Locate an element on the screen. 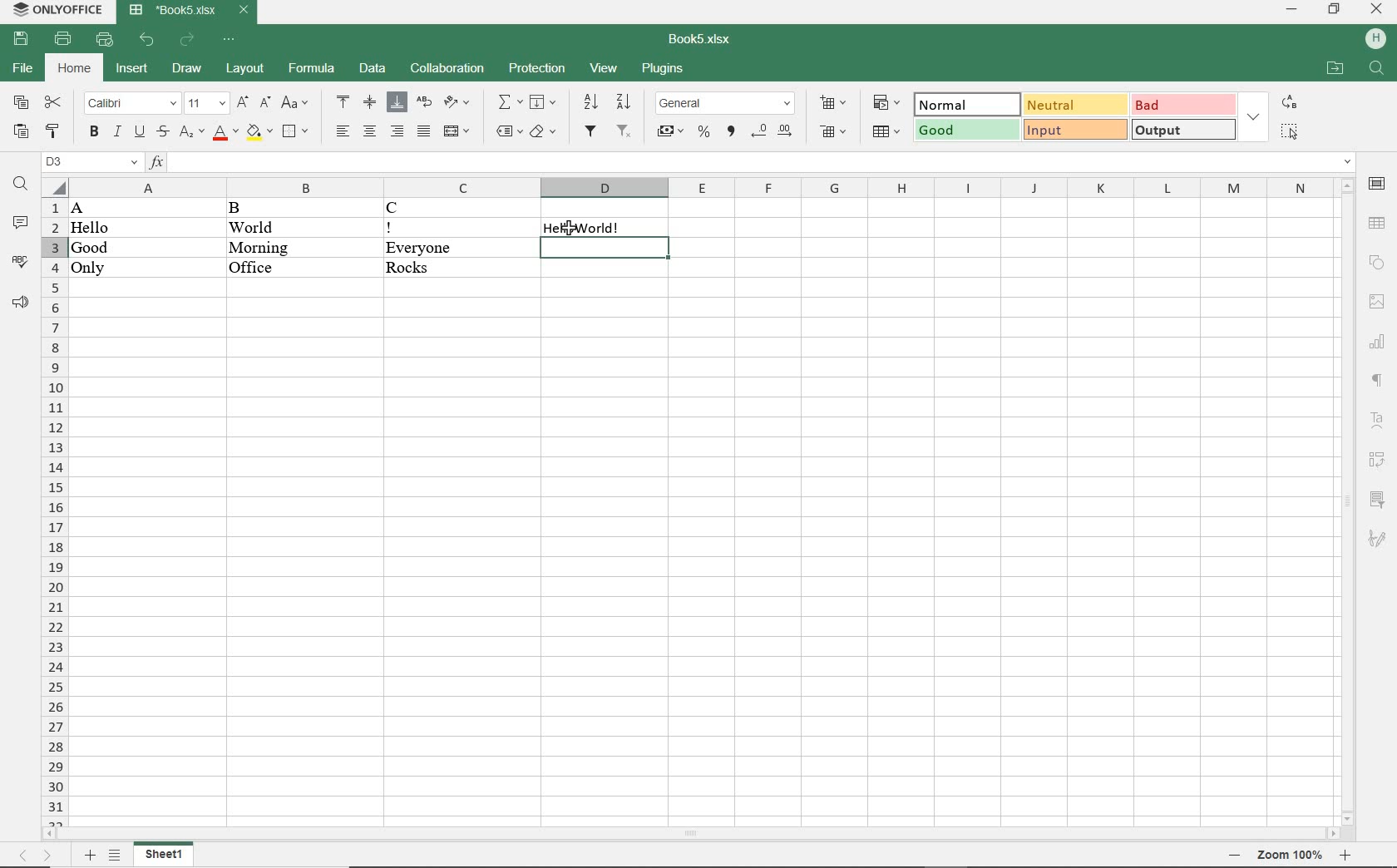  REMOV FILTER is located at coordinates (624, 131).